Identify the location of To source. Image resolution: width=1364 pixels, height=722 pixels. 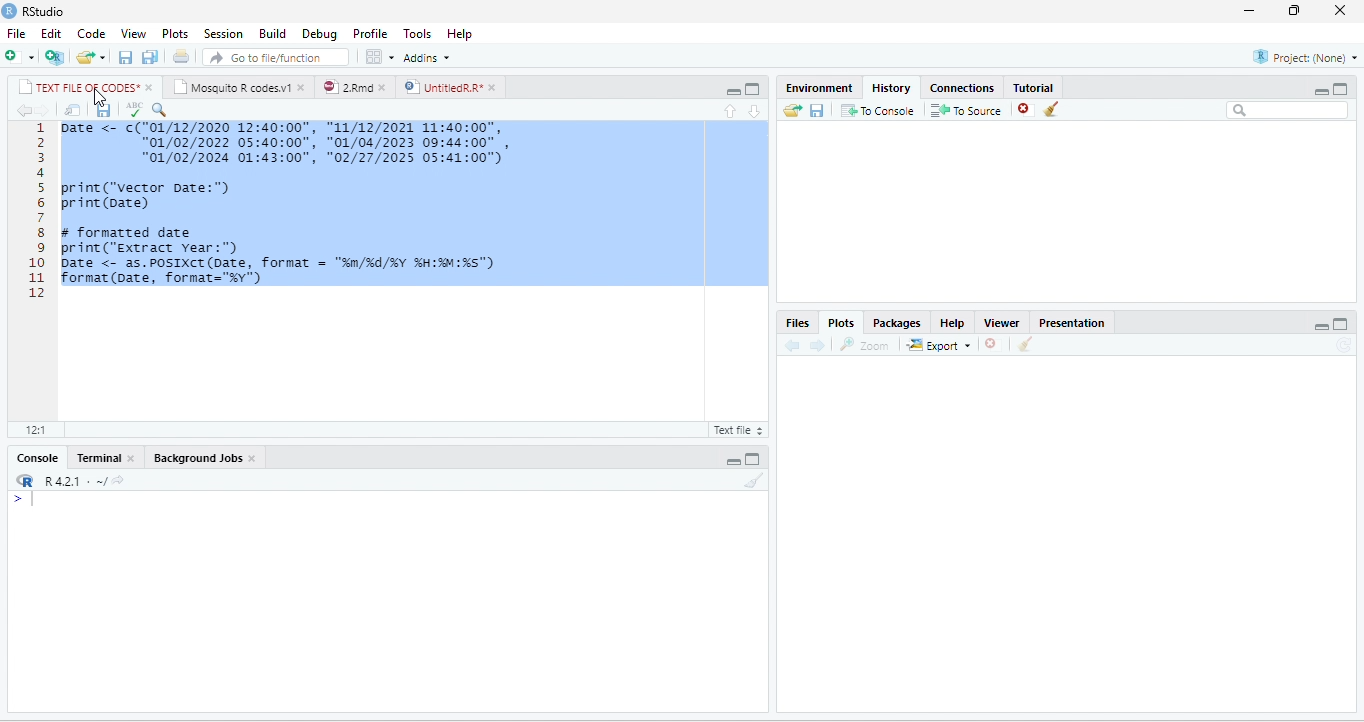
(964, 109).